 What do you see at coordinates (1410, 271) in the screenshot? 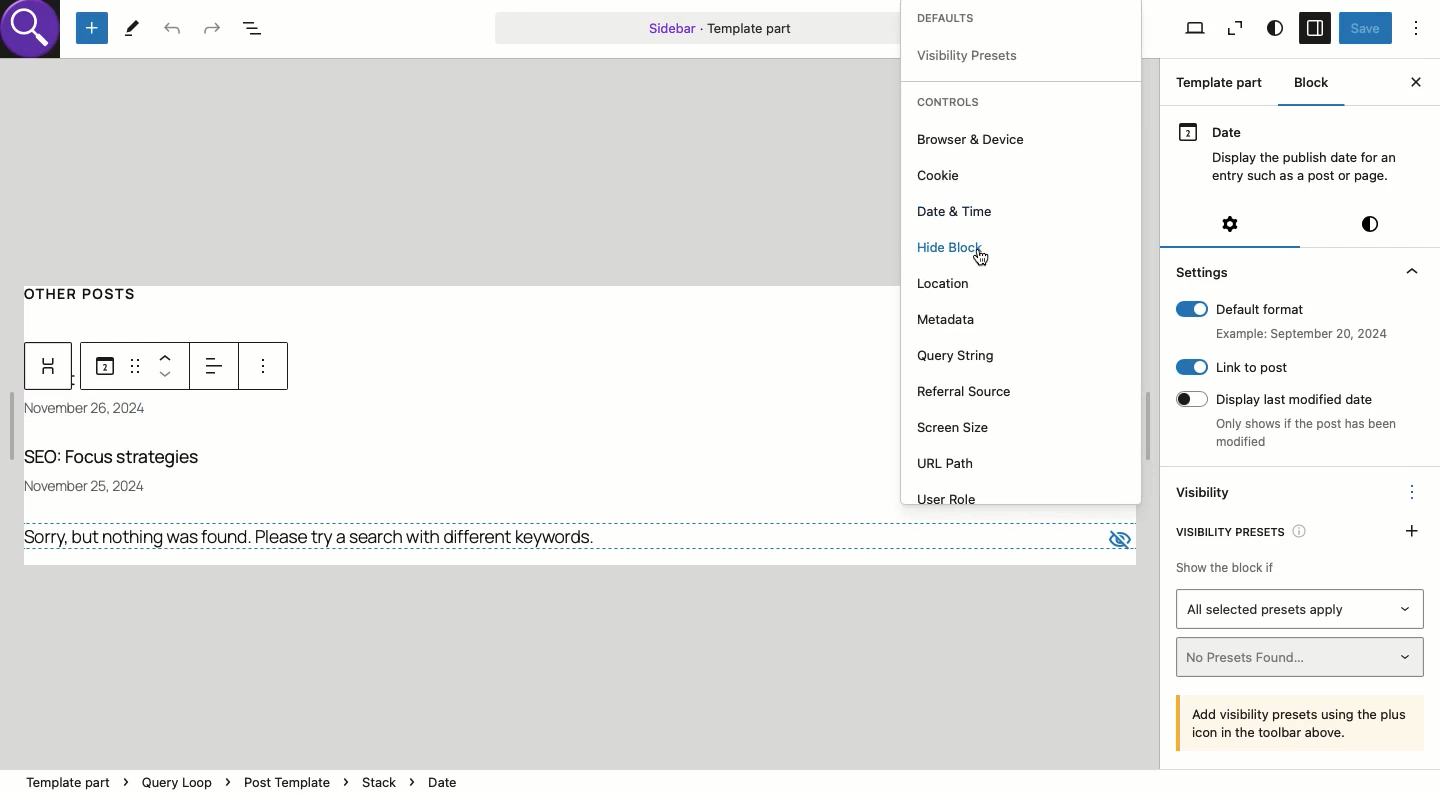
I see `collapse` at bounding box center [1410, 271].